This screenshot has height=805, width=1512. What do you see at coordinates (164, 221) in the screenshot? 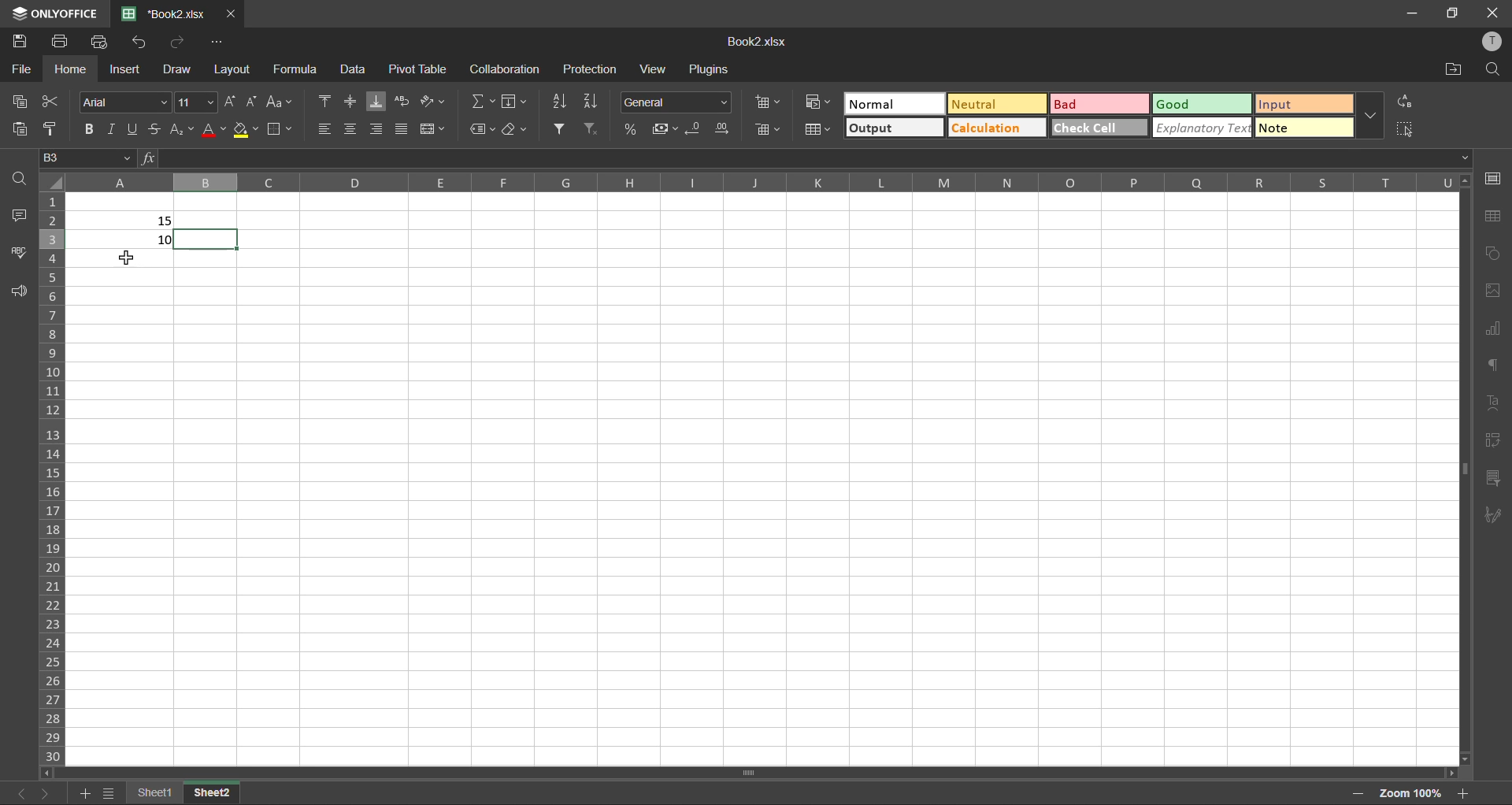
I see `15` at bounding box center [164, 221].